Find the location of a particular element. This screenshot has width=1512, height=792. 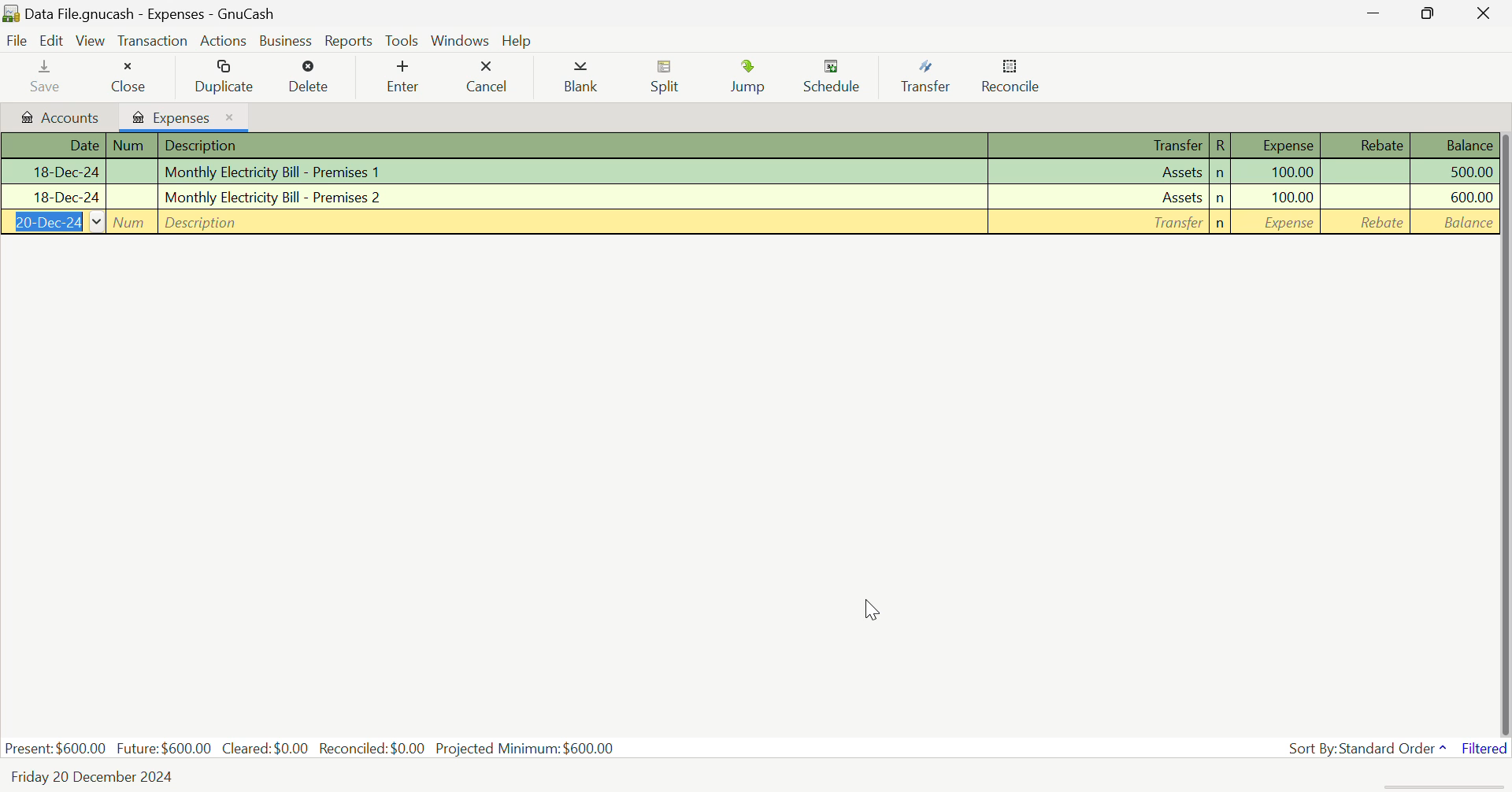

Transfer is located at coordinates (931, 77).